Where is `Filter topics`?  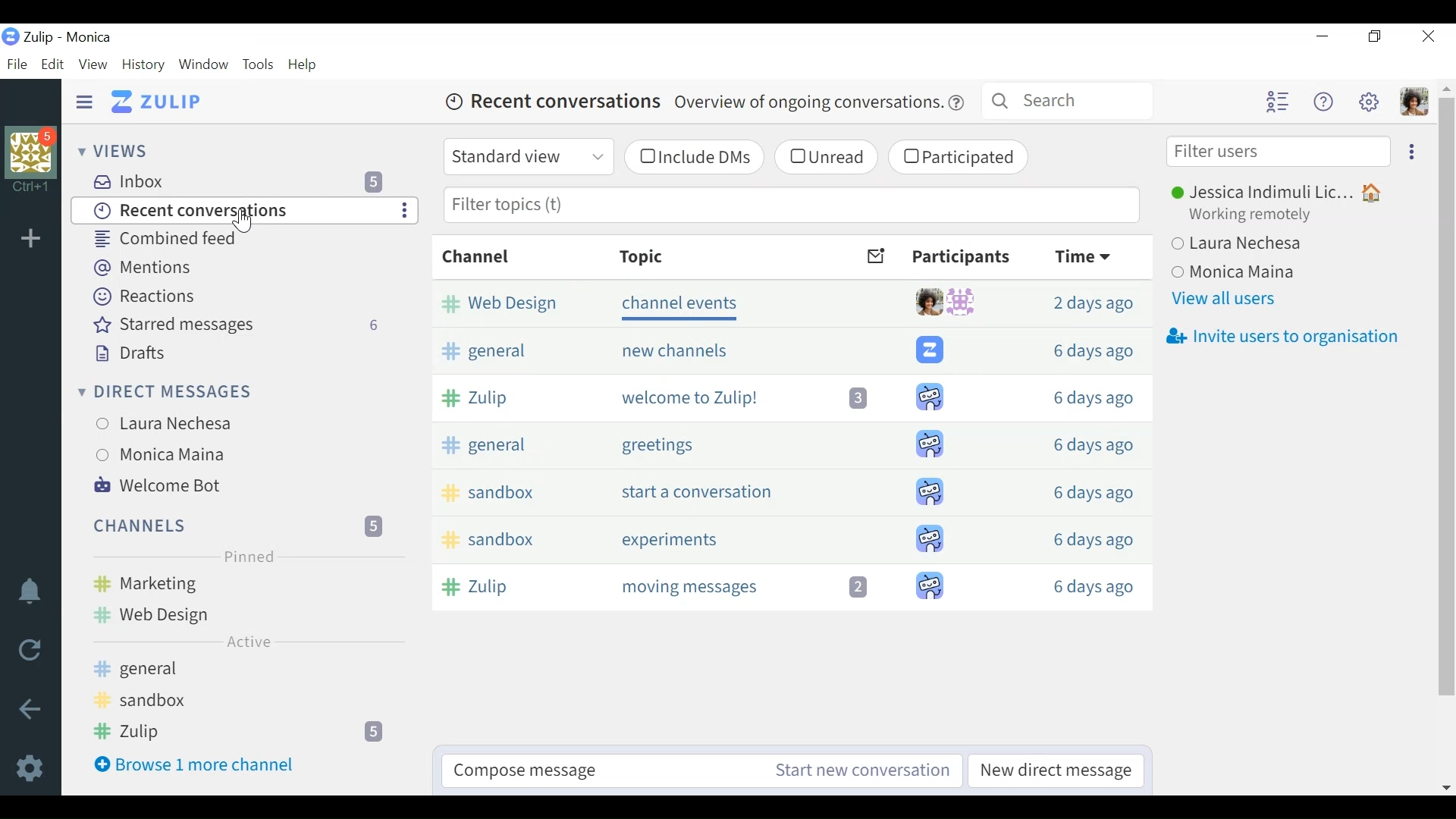 Filter topics is located at coordinates (791, 206).